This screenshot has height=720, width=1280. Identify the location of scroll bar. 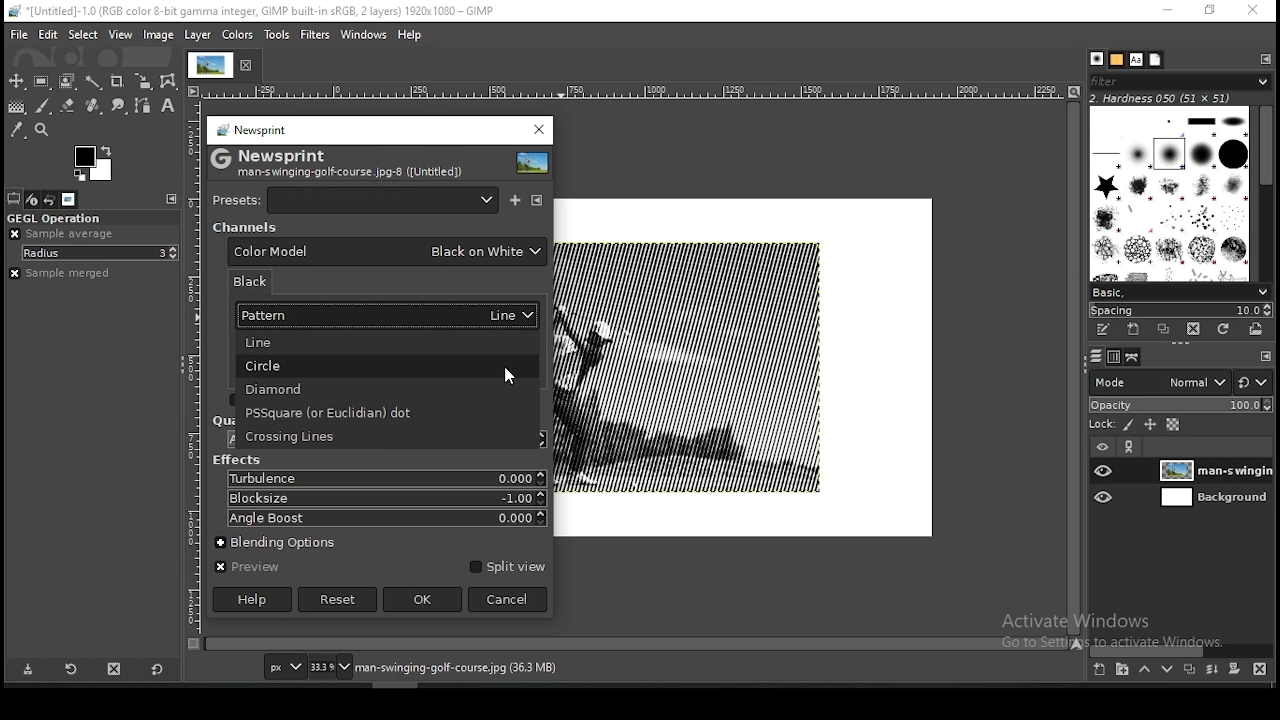
(637, 645).